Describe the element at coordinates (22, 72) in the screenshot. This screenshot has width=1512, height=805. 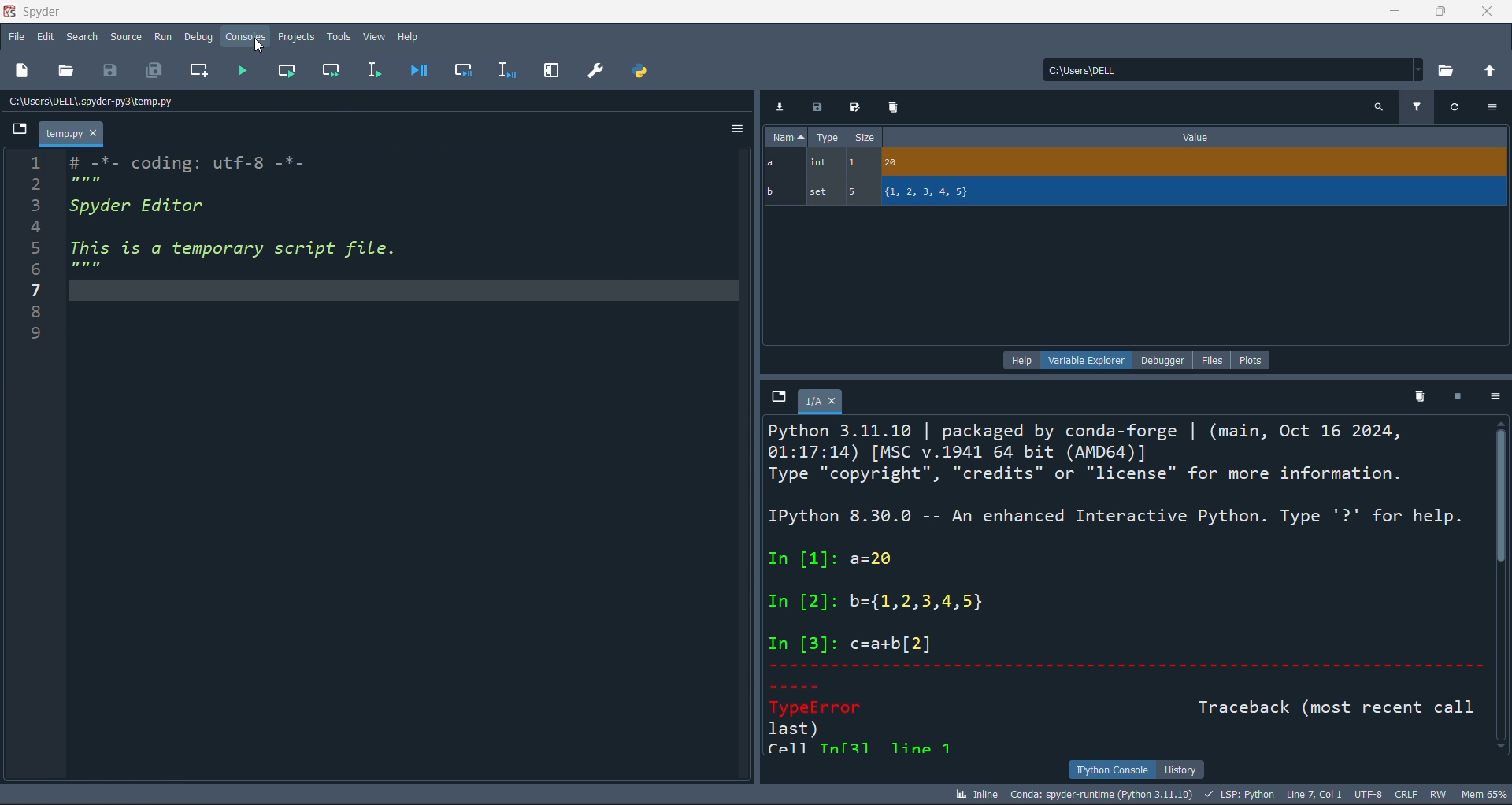
I see `new file` at that location.